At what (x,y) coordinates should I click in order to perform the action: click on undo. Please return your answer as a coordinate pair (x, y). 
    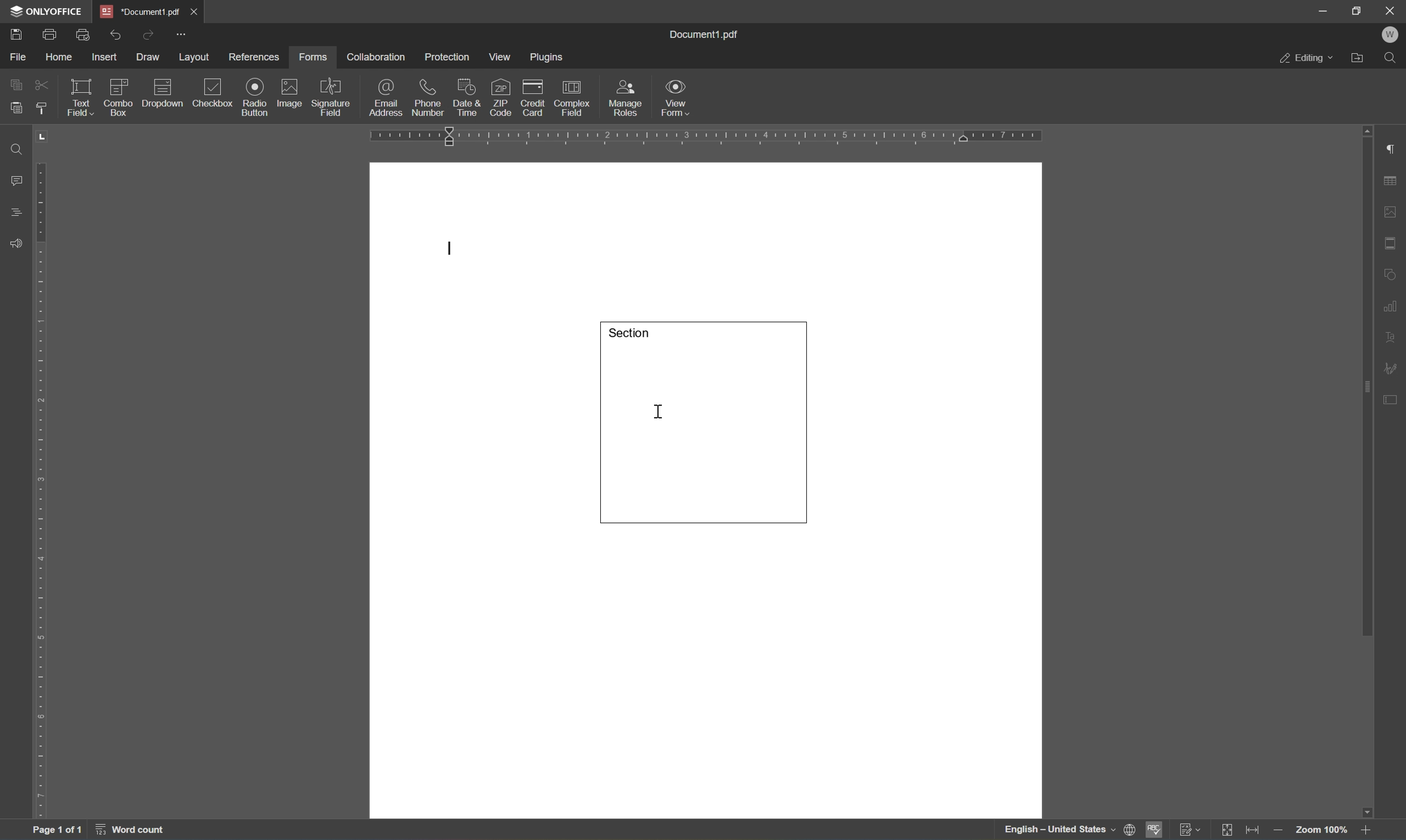
    Looking at the image, I should click on (117, 33).